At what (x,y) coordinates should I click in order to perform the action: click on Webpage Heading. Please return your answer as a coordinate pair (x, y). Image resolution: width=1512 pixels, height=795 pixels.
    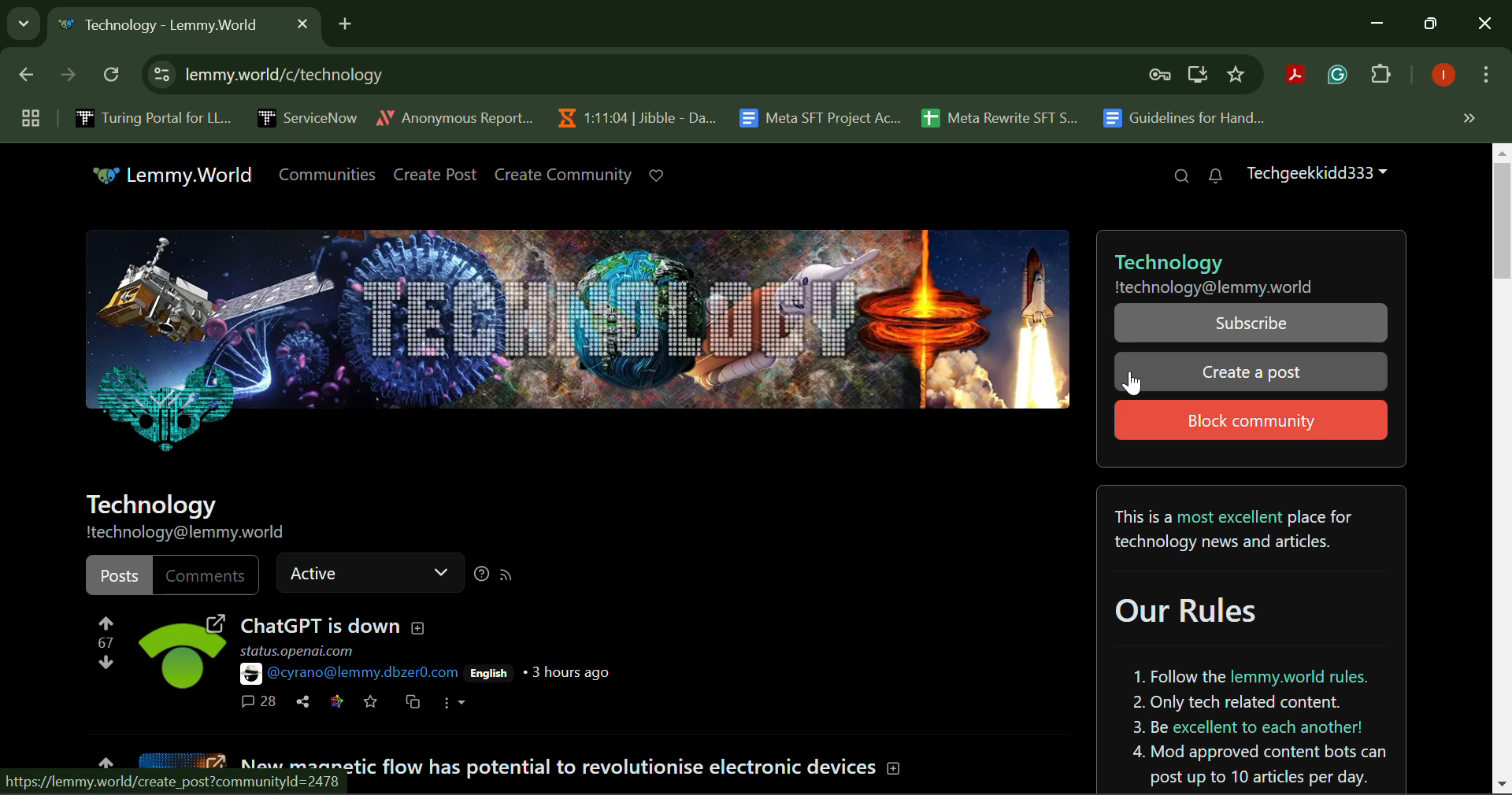
    Looking at the image, I should click on (167, 27).